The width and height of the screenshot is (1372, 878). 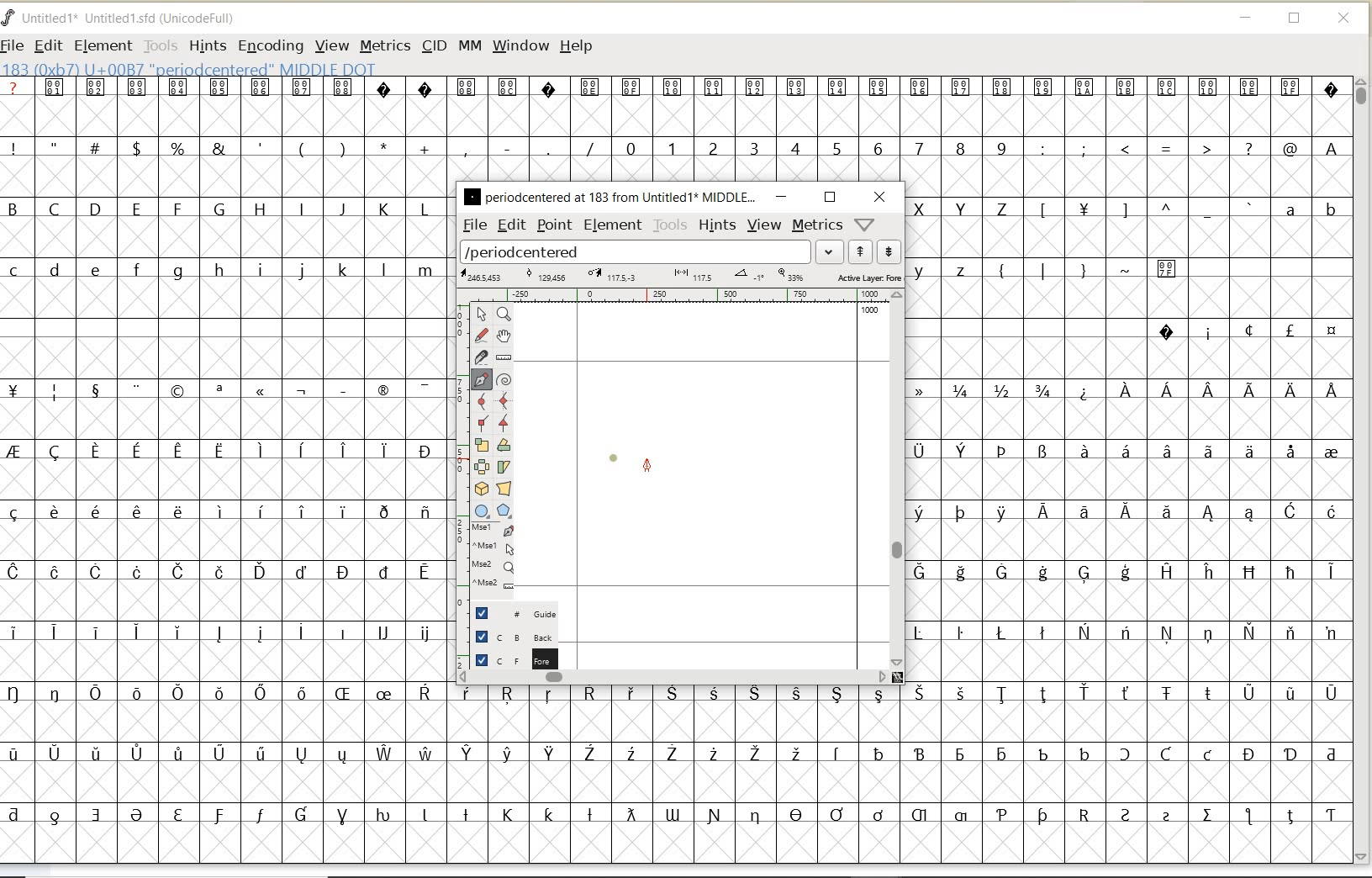 I want to click on glyph info, so click(x=191, y=68).